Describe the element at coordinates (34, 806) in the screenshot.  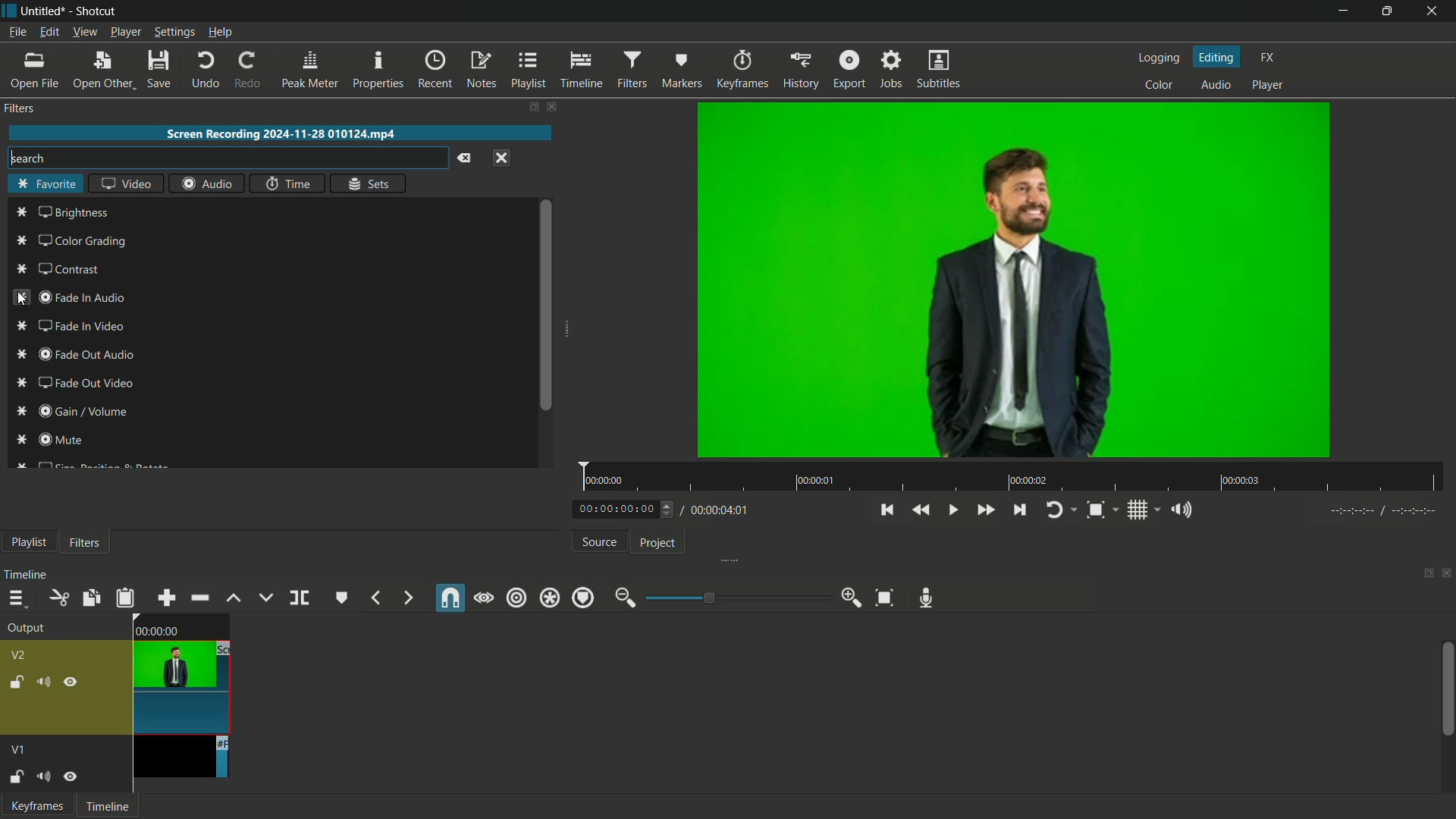
I see `keyframe` at that location.